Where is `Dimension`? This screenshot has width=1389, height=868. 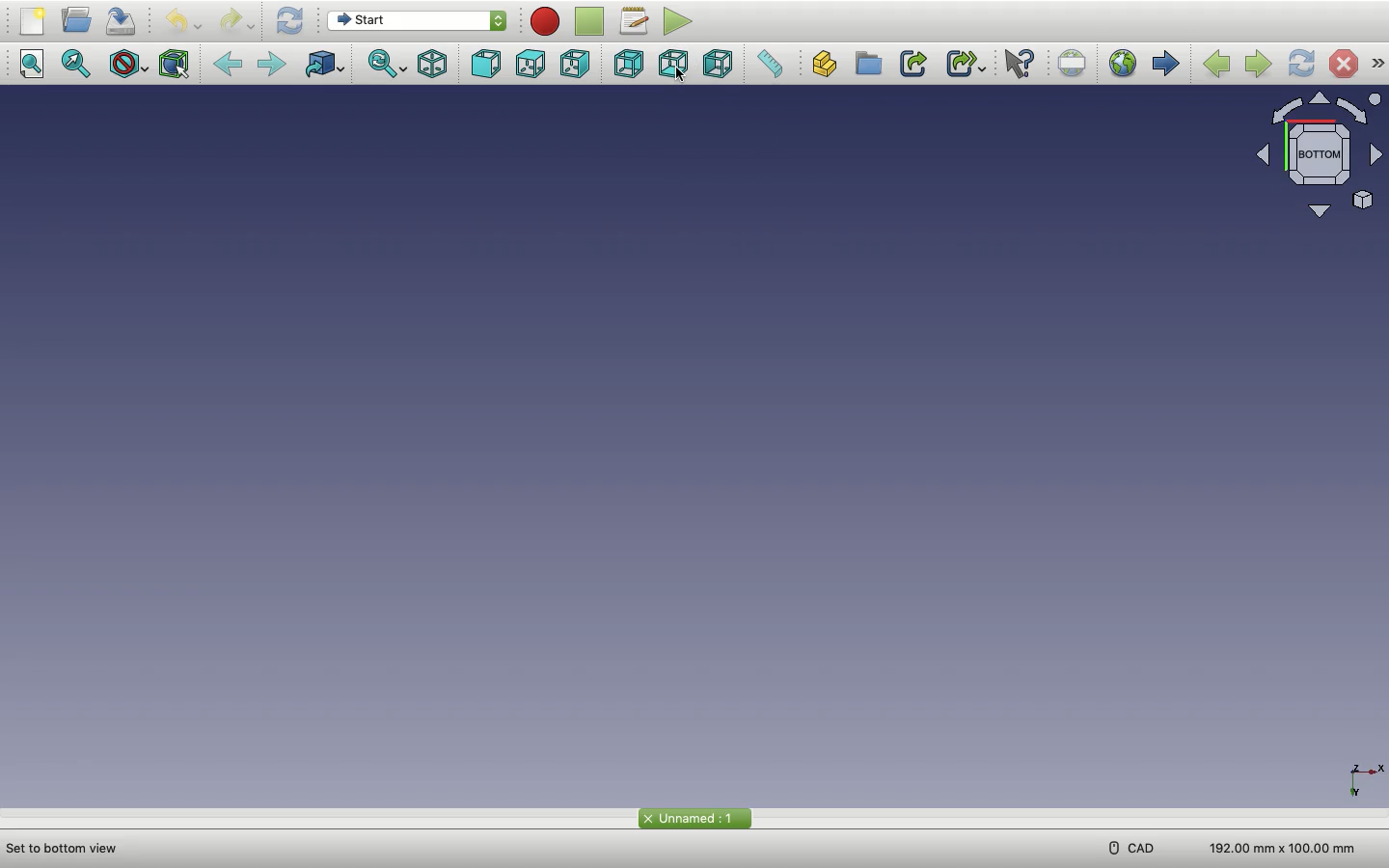
Dimension is located at coordinates (1276, 845).